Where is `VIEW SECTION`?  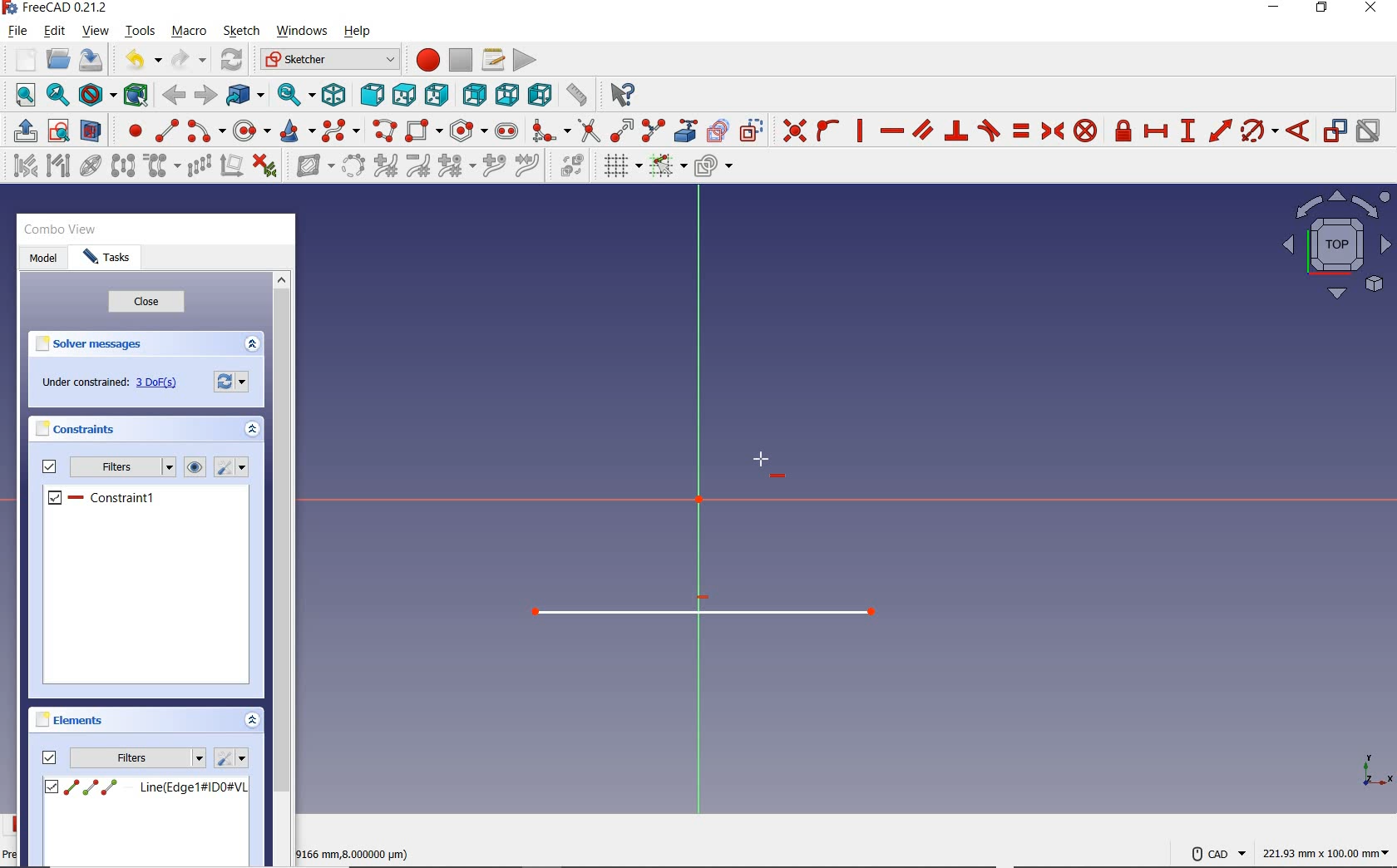
VIEW SECTION is located at coordinates (91, 130).